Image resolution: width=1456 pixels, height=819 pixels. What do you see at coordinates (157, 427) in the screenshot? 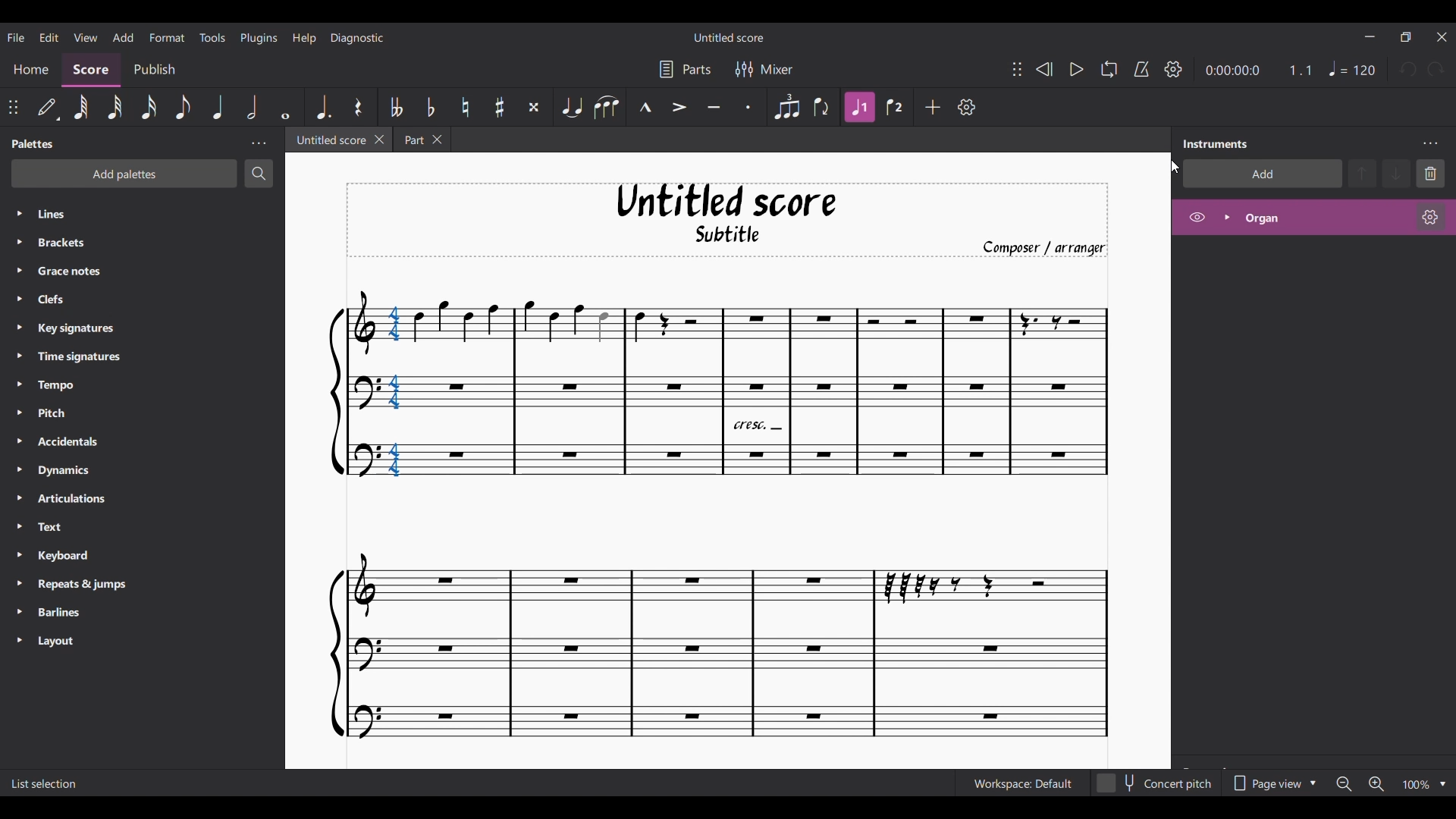
I see `Palette list` at bounding box center [157, 427].